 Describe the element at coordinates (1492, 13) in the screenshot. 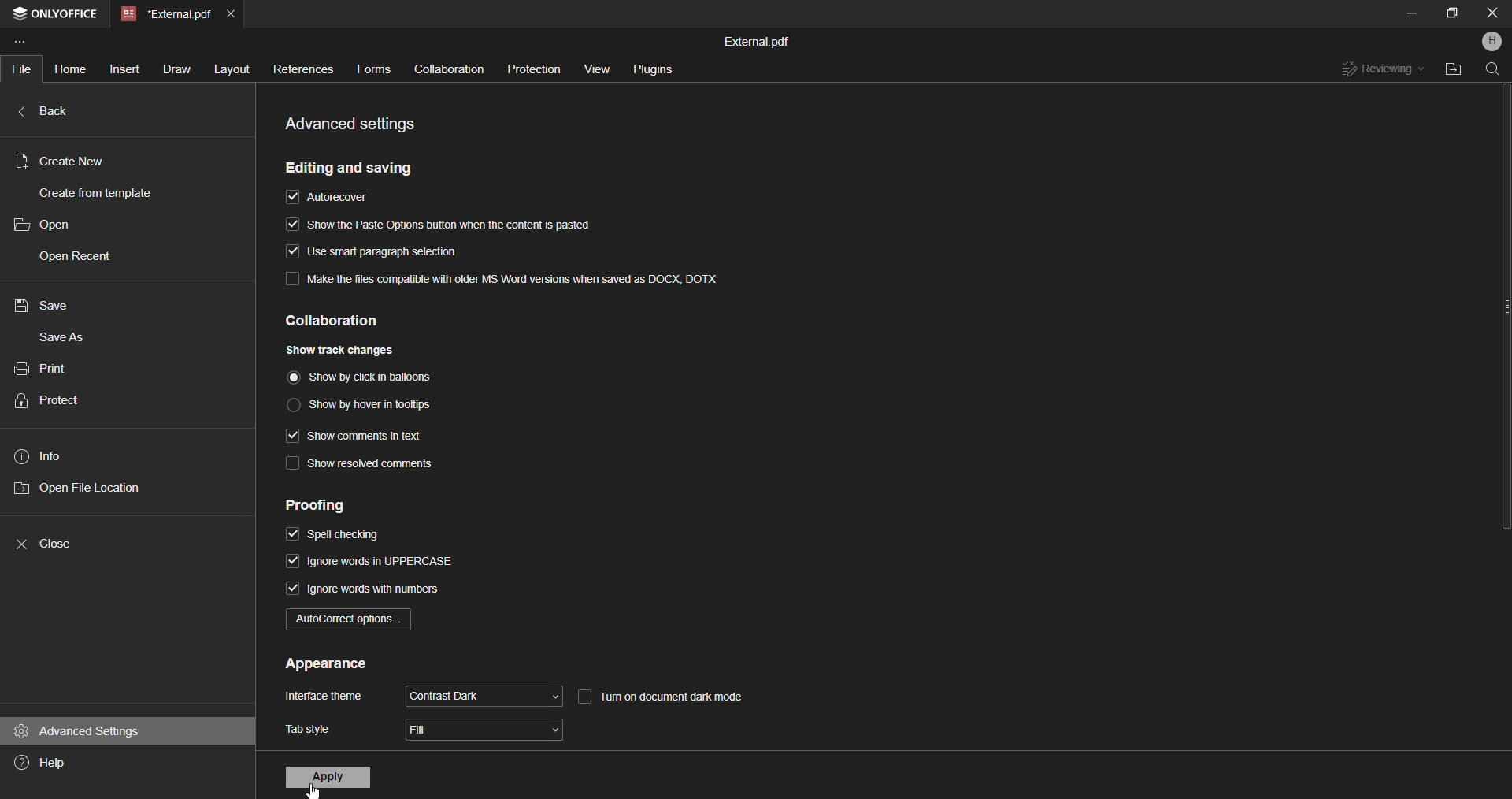

I see `Close` at that location.